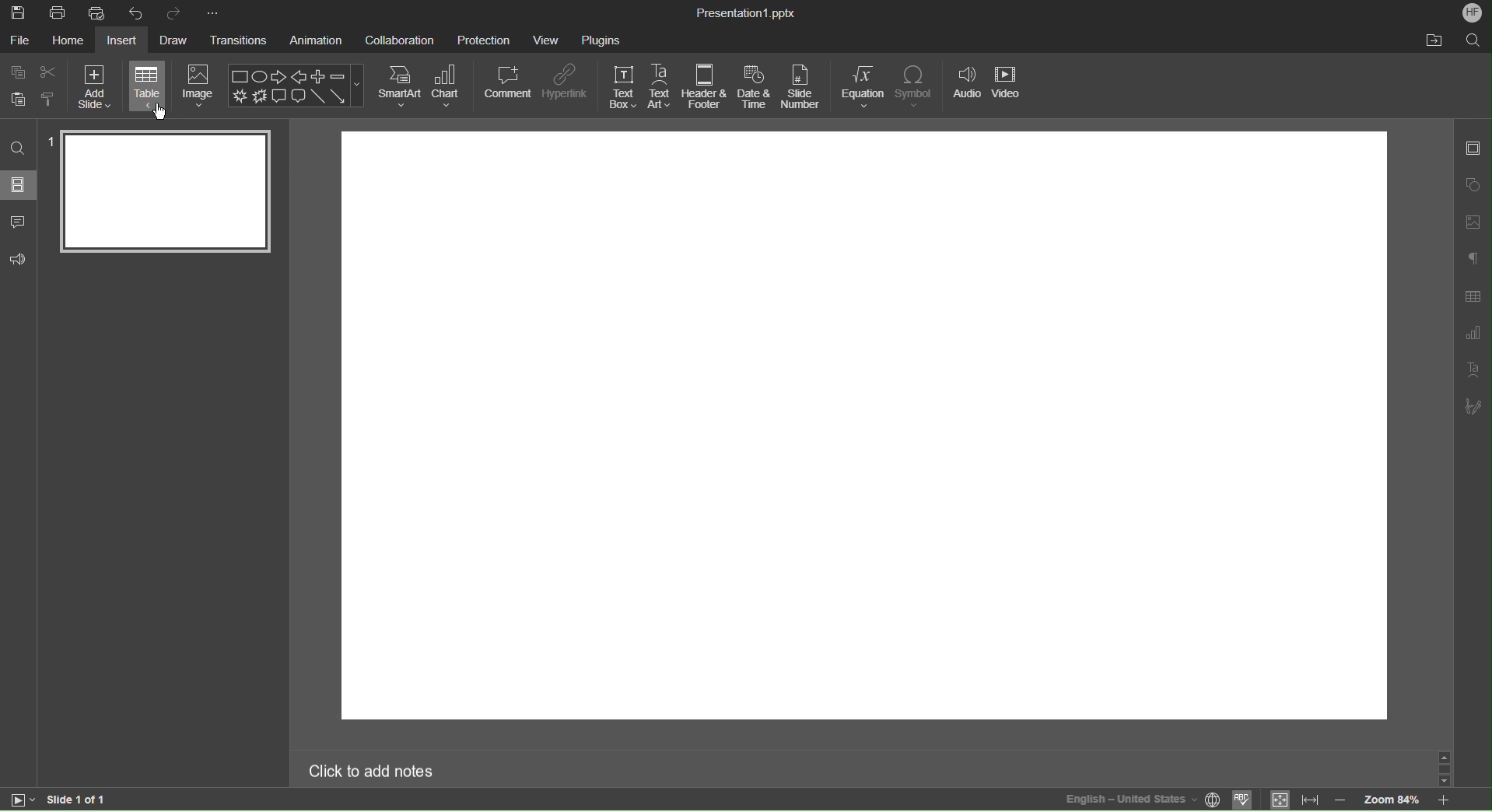  I want to click on Table, so click(148, 86).